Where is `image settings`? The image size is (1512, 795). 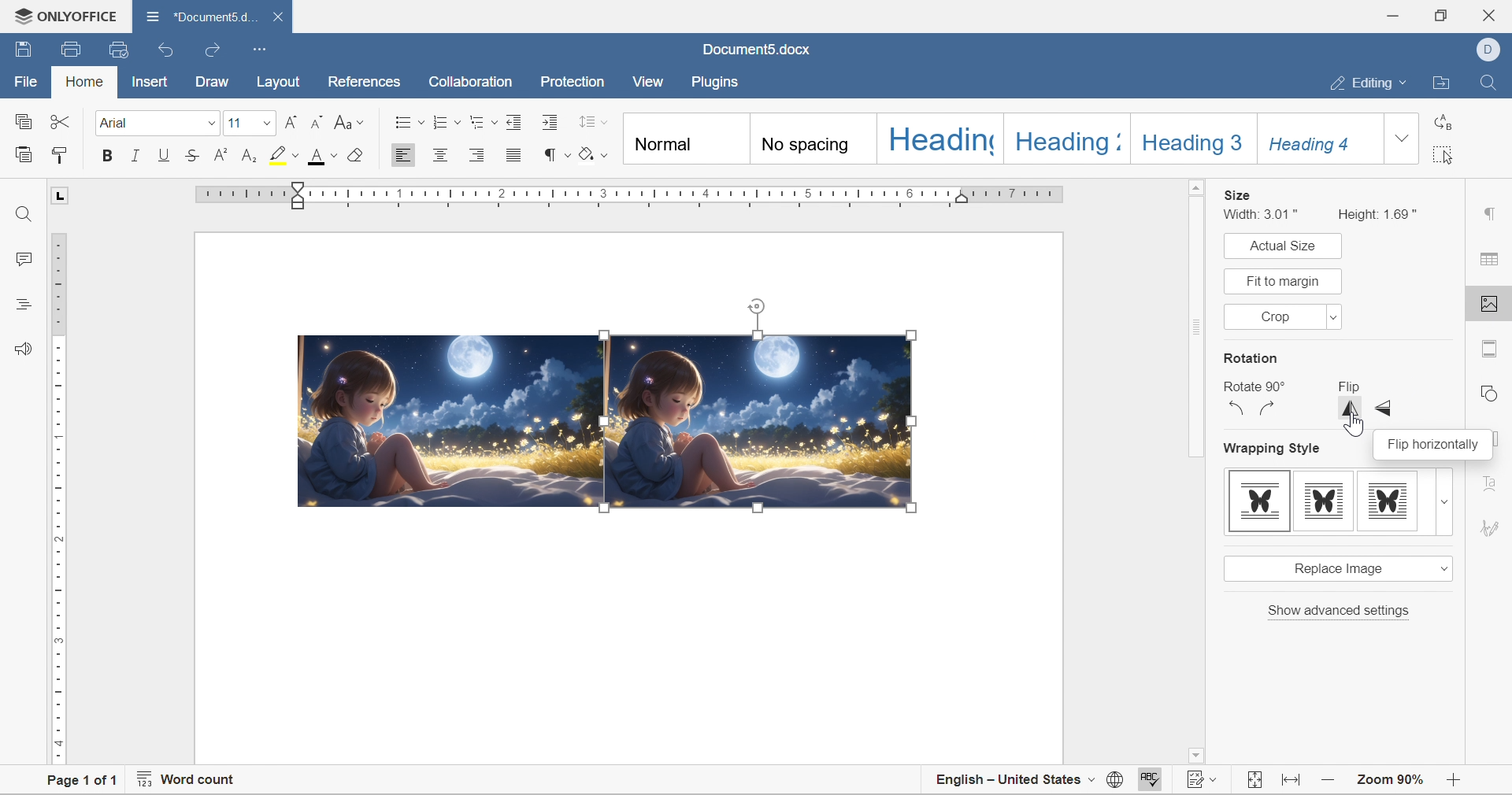 image settings is located at coordinates (1492, 304).